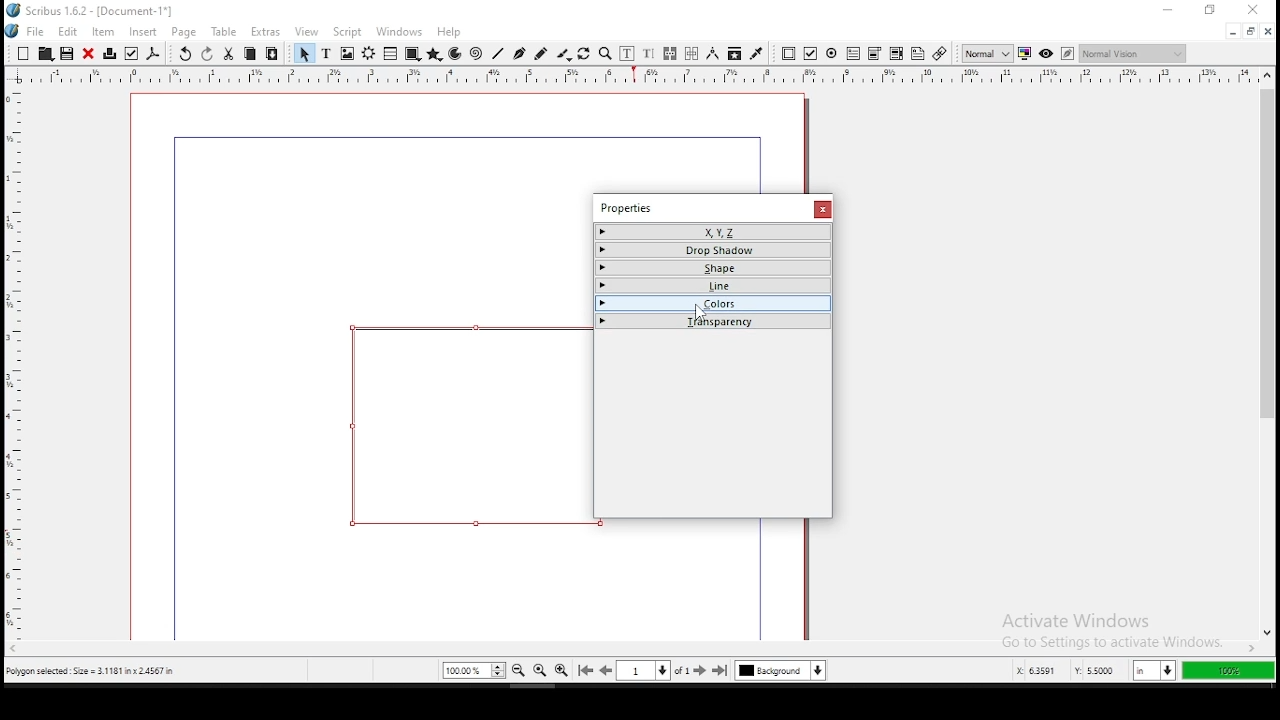 The image size is (1280, 720). I want to click on edit, so click(68, 31).